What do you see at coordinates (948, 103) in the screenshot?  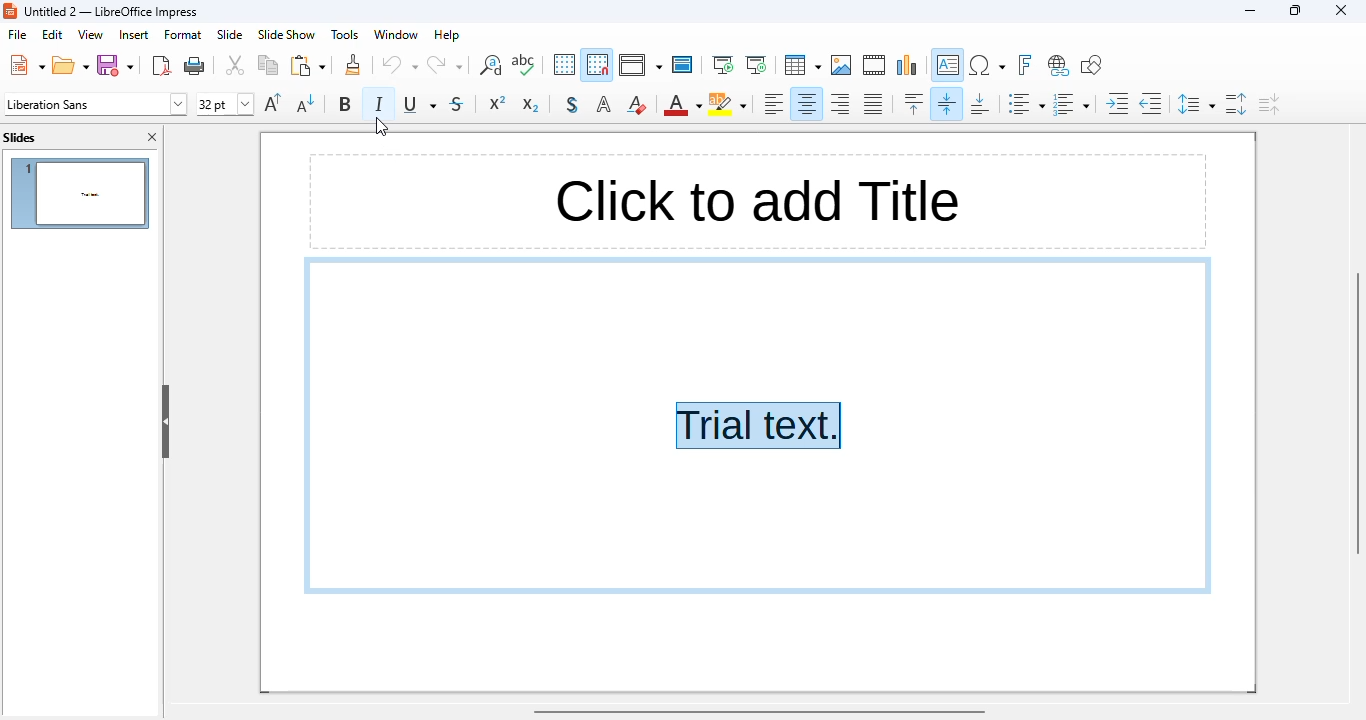 I see `center vertically` at bounding box center [948, 103].